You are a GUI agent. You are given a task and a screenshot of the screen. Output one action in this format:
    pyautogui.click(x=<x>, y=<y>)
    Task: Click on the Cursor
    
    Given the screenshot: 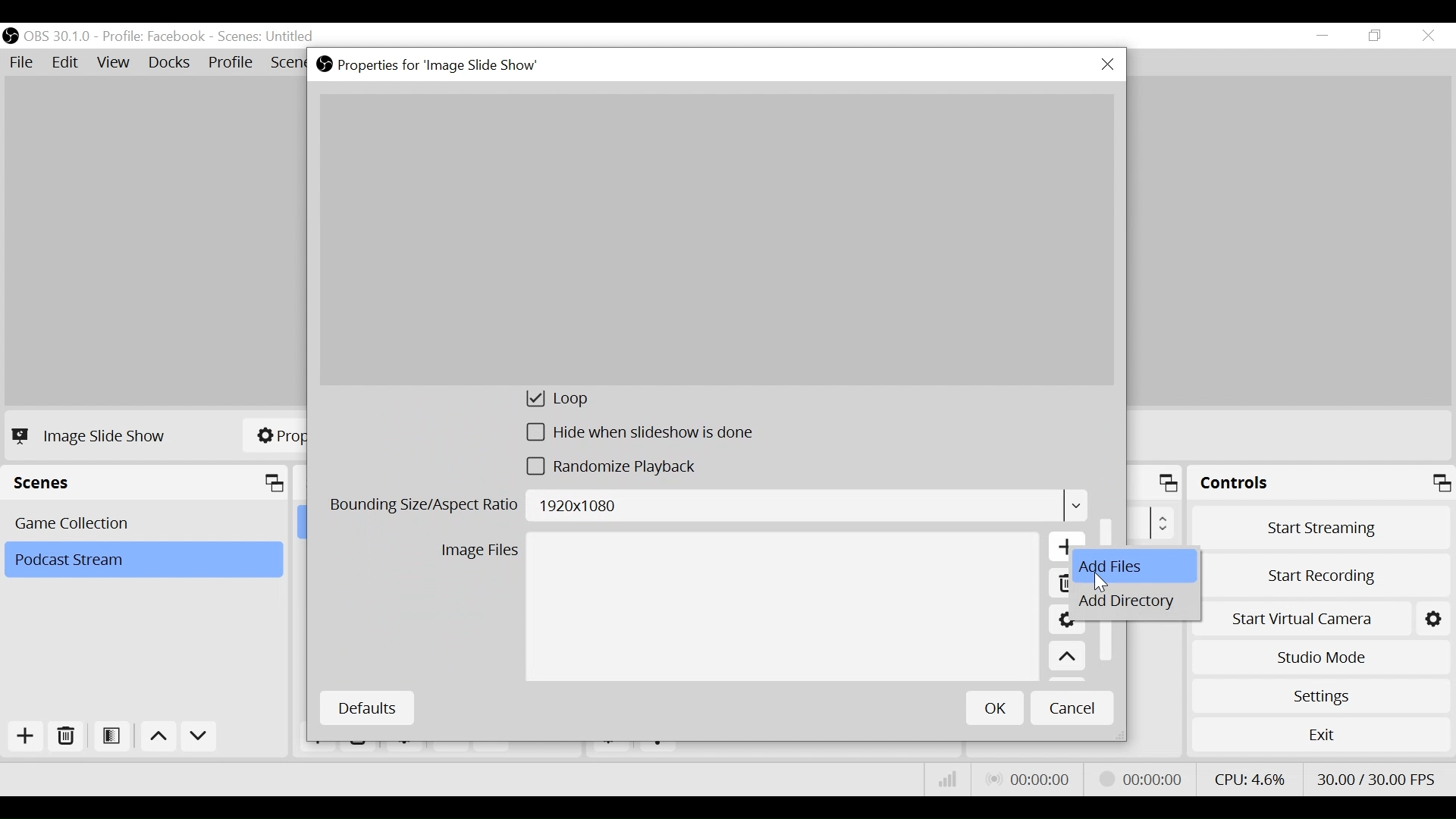 What is the action you would take?
    pyautogui.click(x=1105, y=581)
    